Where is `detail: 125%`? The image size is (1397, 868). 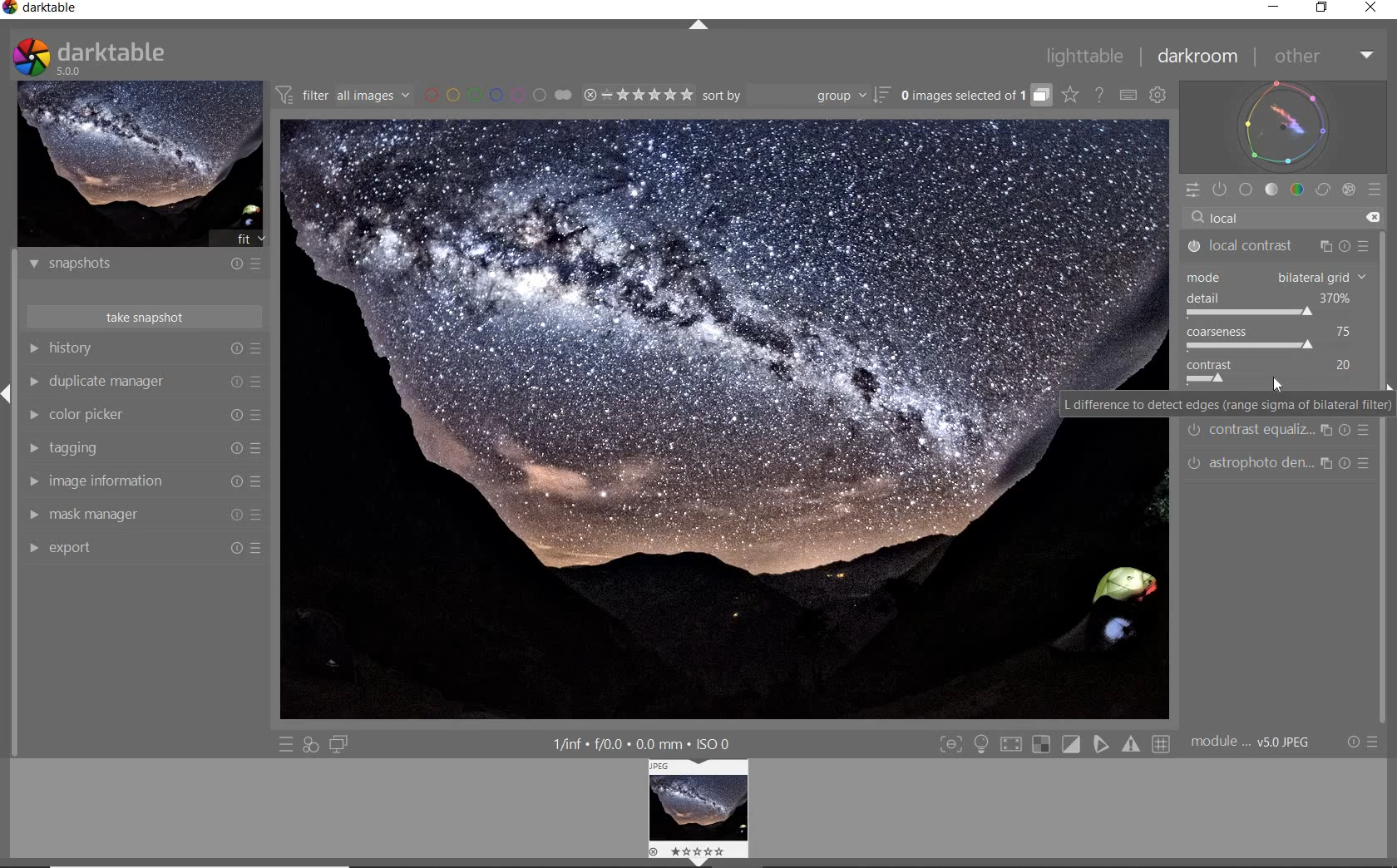 detail: 125% is located at coordinates (1268, 296).